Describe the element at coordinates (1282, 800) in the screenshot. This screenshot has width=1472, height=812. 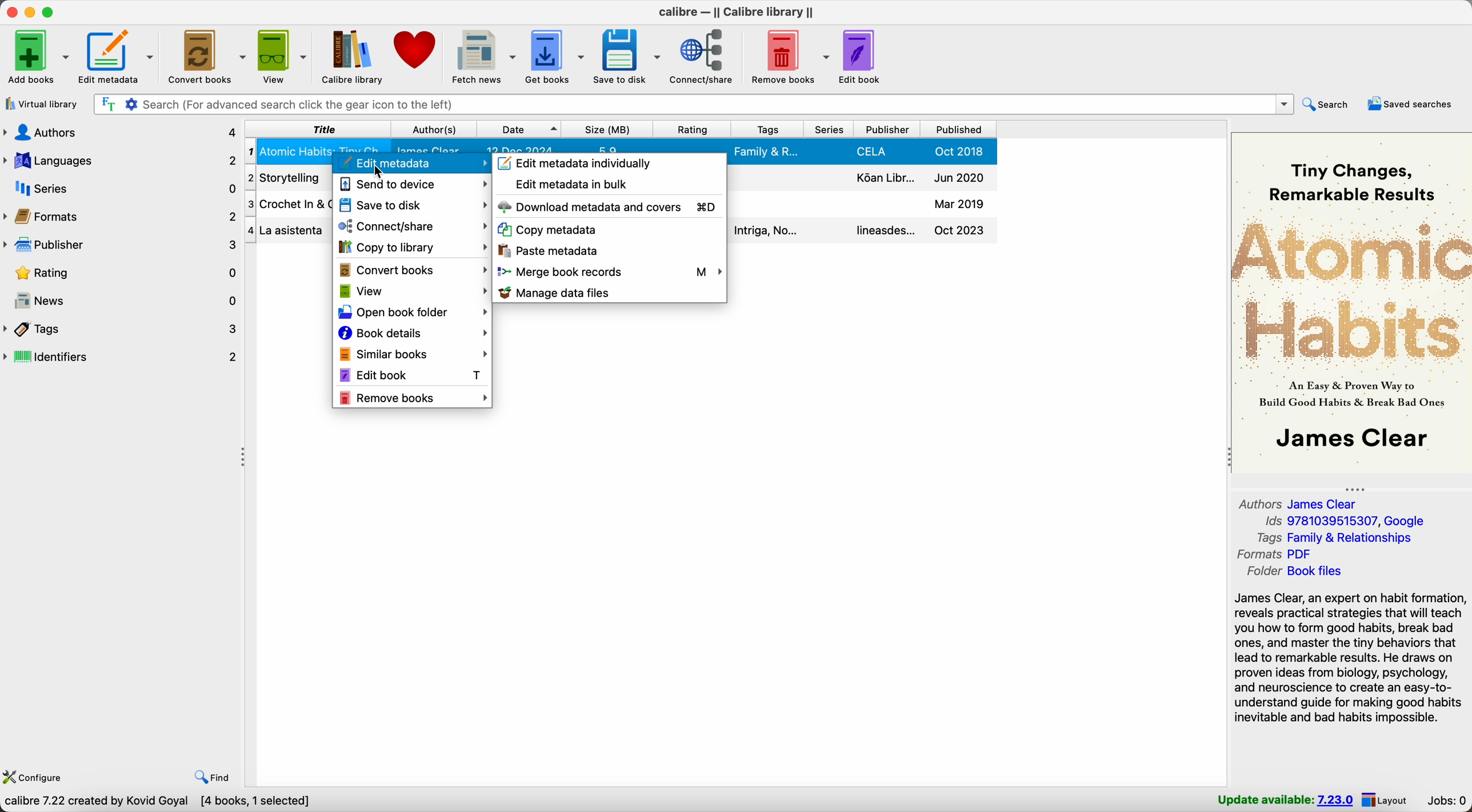
I see `update available` at that location.